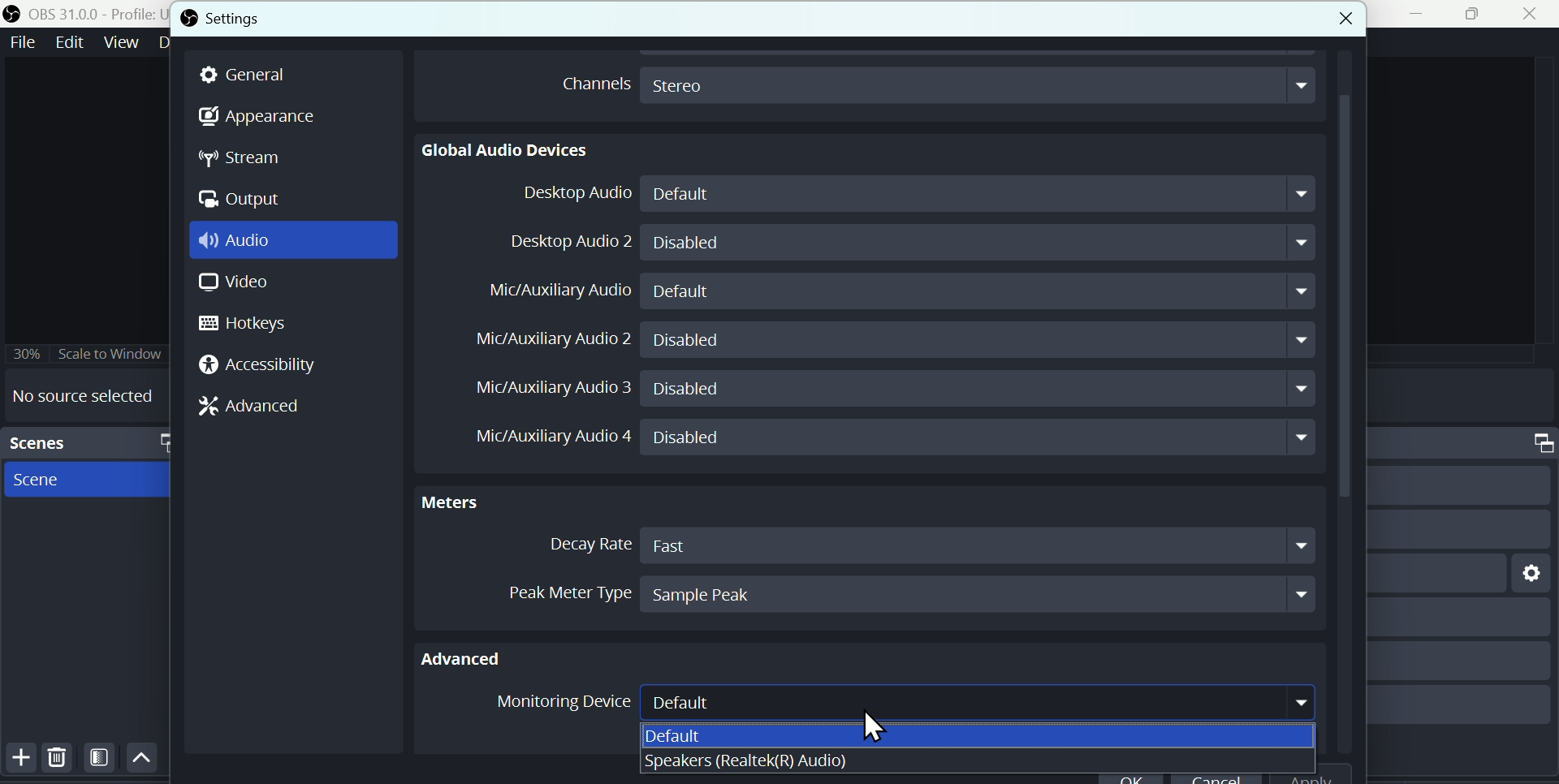  I want to click on Sample Peak, so click(978, 593).